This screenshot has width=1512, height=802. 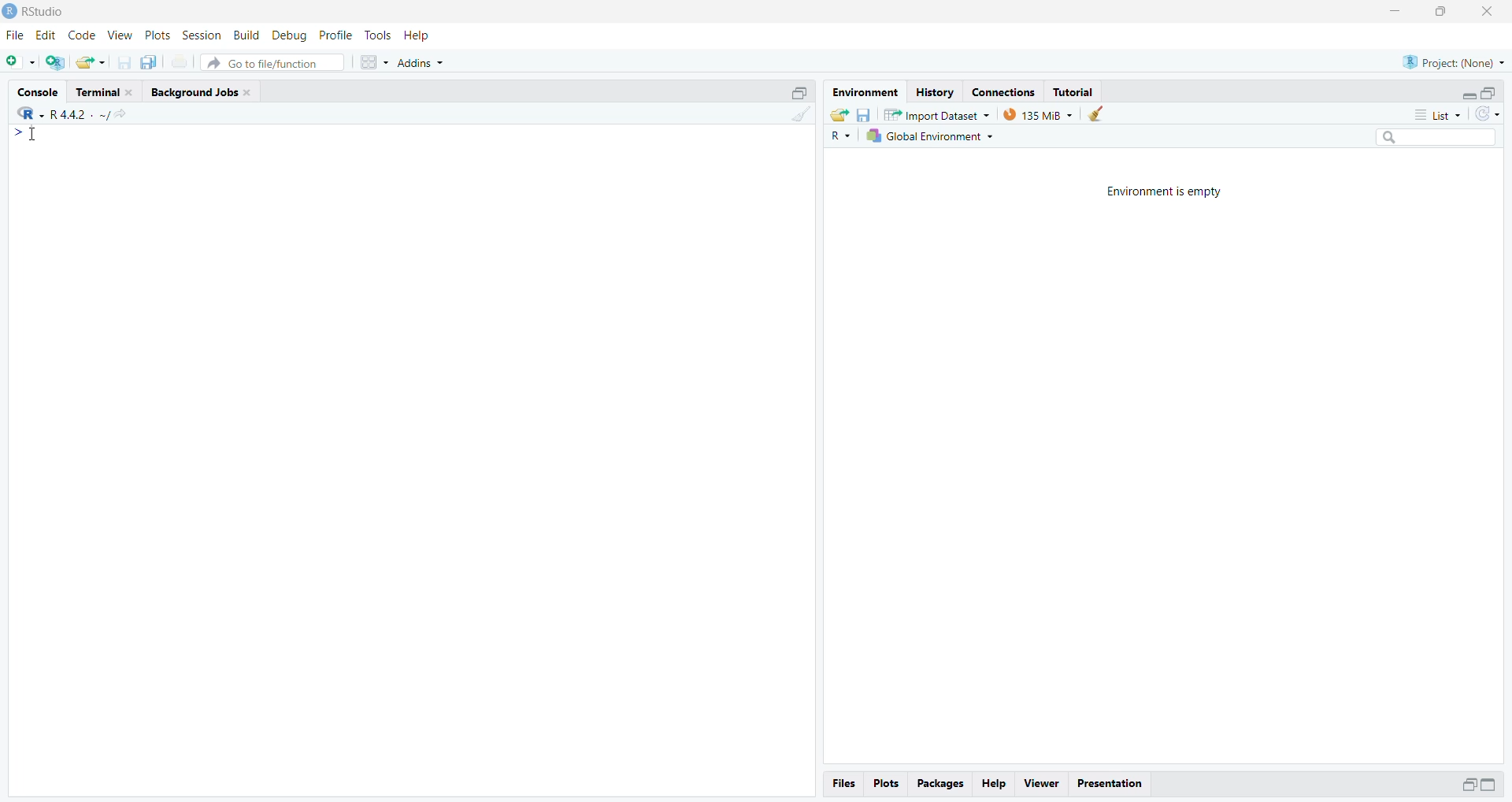 I want to click on Build, so click(x=248, y=35).